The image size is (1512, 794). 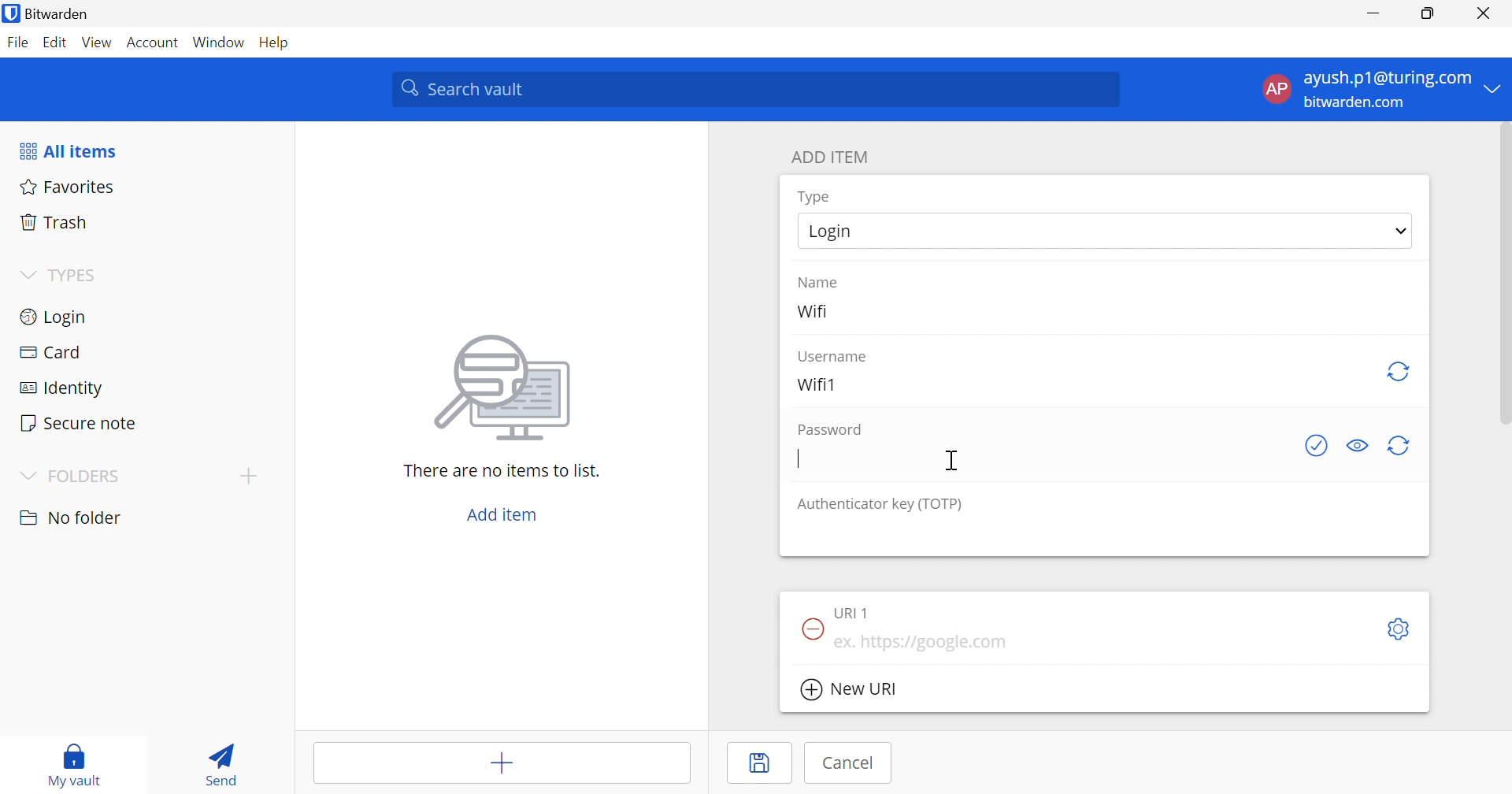 I want to click on Add item, so click(x=503, y=765).